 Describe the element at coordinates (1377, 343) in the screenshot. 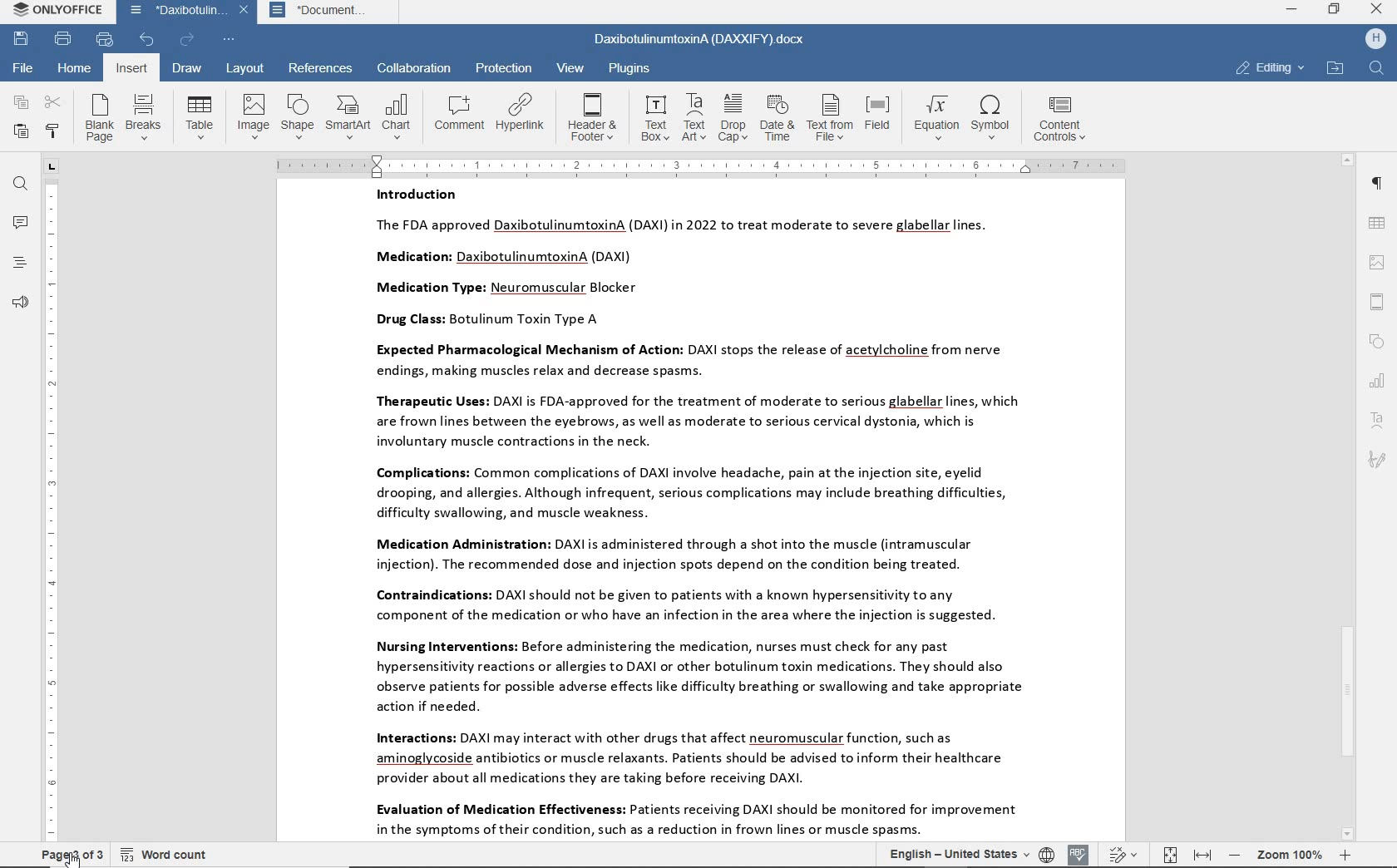

I see `shape` at that location.